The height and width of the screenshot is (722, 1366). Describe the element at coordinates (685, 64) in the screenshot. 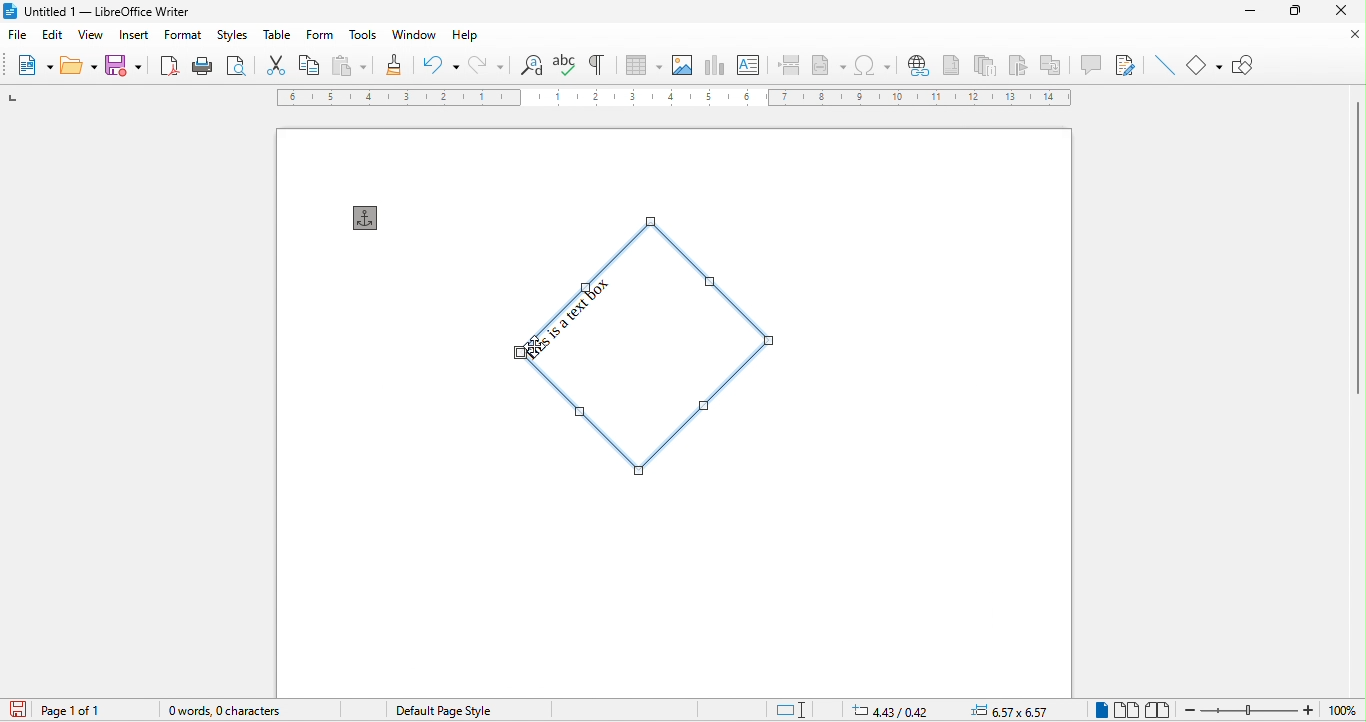

I see `image` at that location.